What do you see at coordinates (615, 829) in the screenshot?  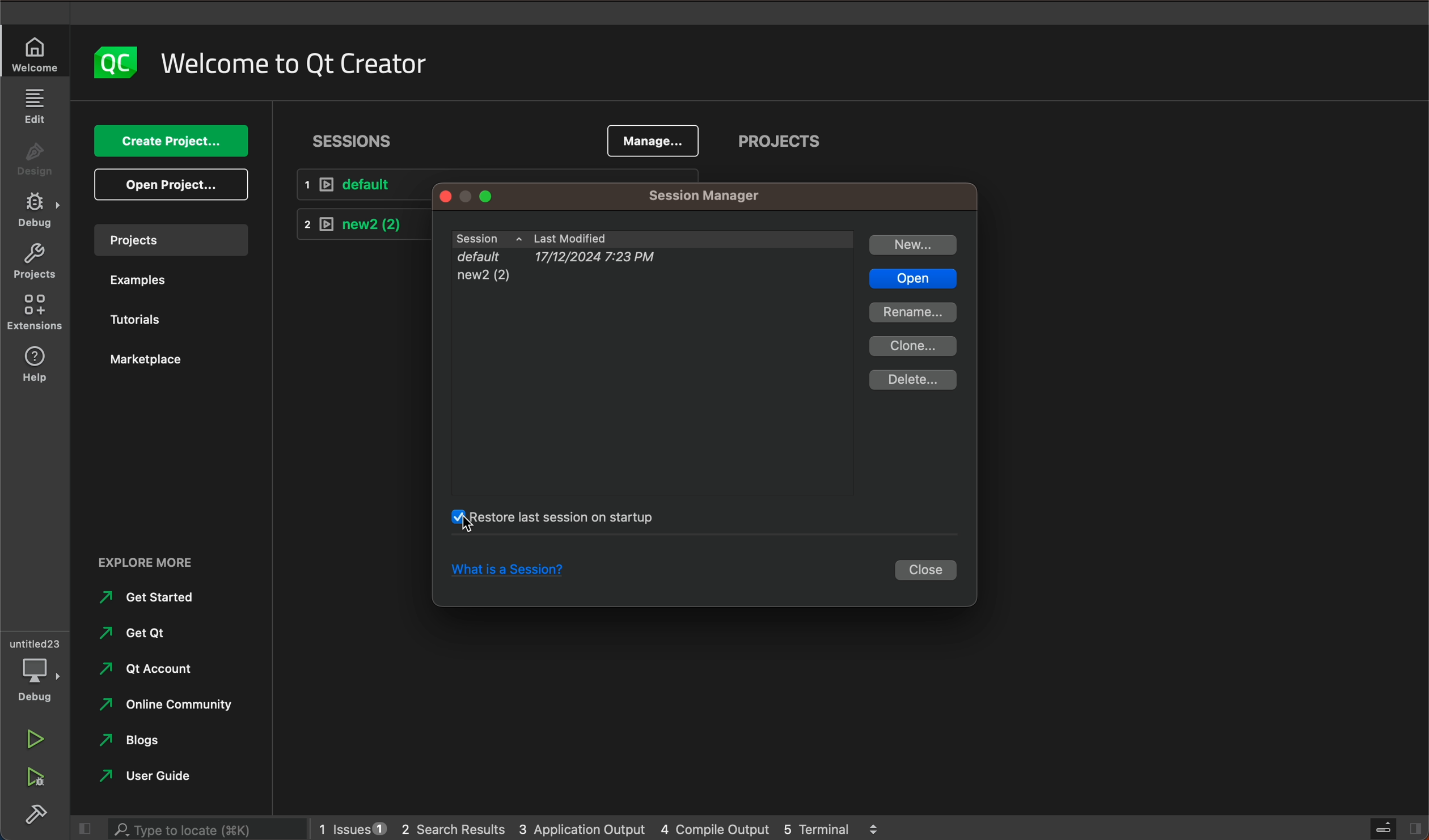 I see `logs` at bounding box center [615, 829].